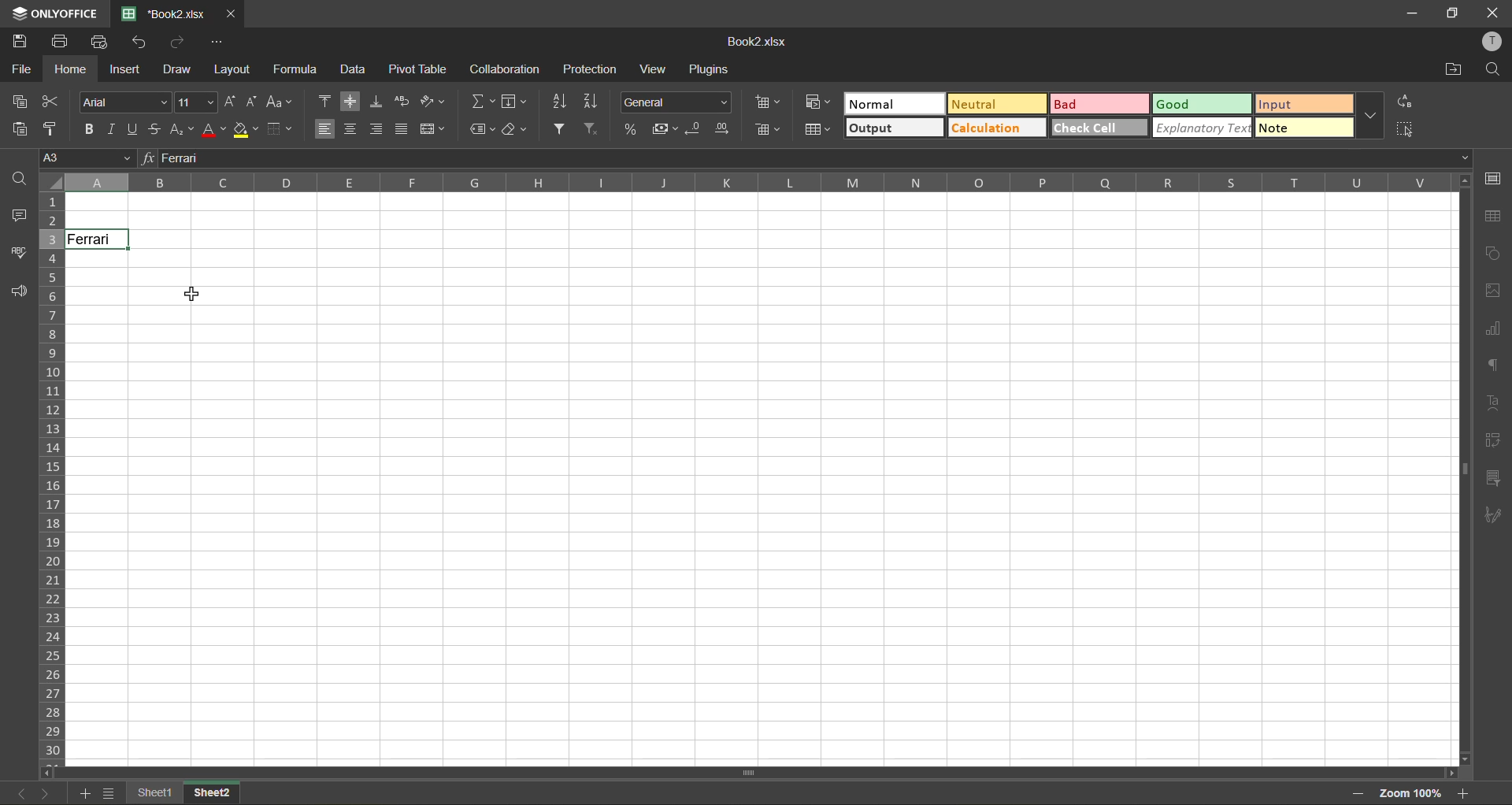 Image resolution: width=1512 pixels, height=805 pixels. I want to click on zoom factor, so click(1412, 794).